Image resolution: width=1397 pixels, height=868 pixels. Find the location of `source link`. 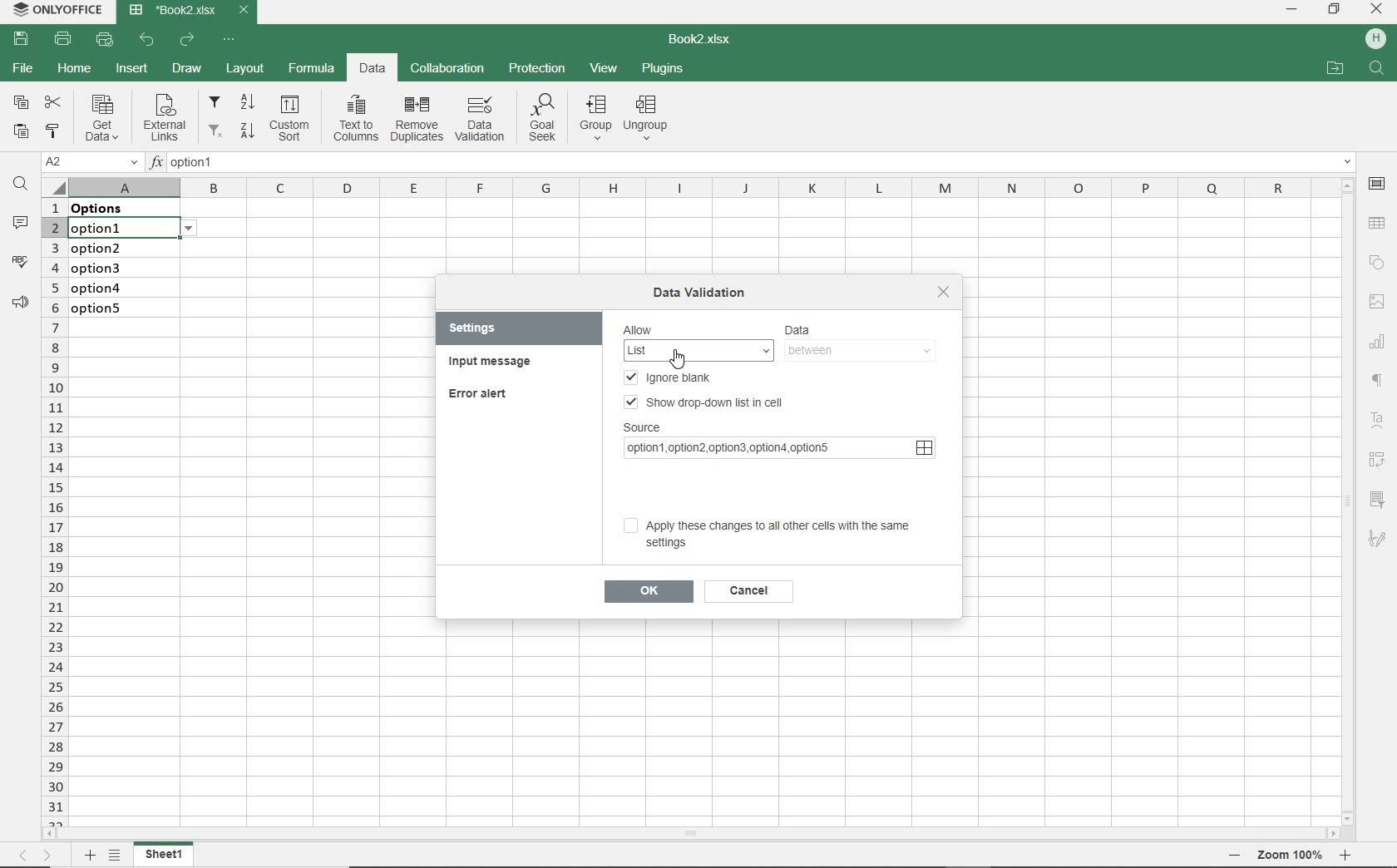

source link is located at coordinates (779, 447).